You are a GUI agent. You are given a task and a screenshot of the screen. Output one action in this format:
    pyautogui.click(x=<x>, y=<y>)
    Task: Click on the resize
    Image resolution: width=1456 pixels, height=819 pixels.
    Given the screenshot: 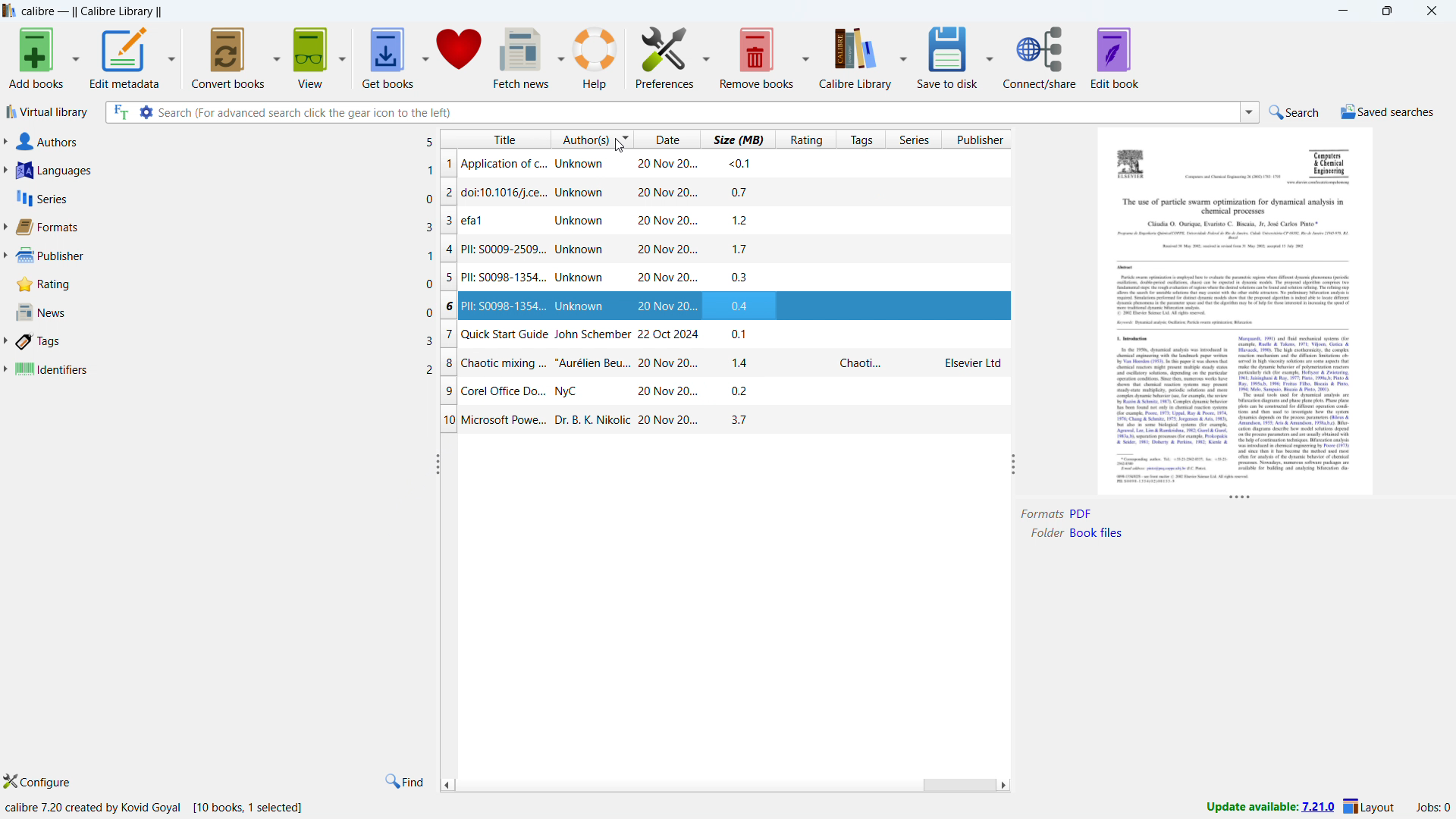 What is the action you would take?
    pyautogui.click(x=1238, y=500)
    